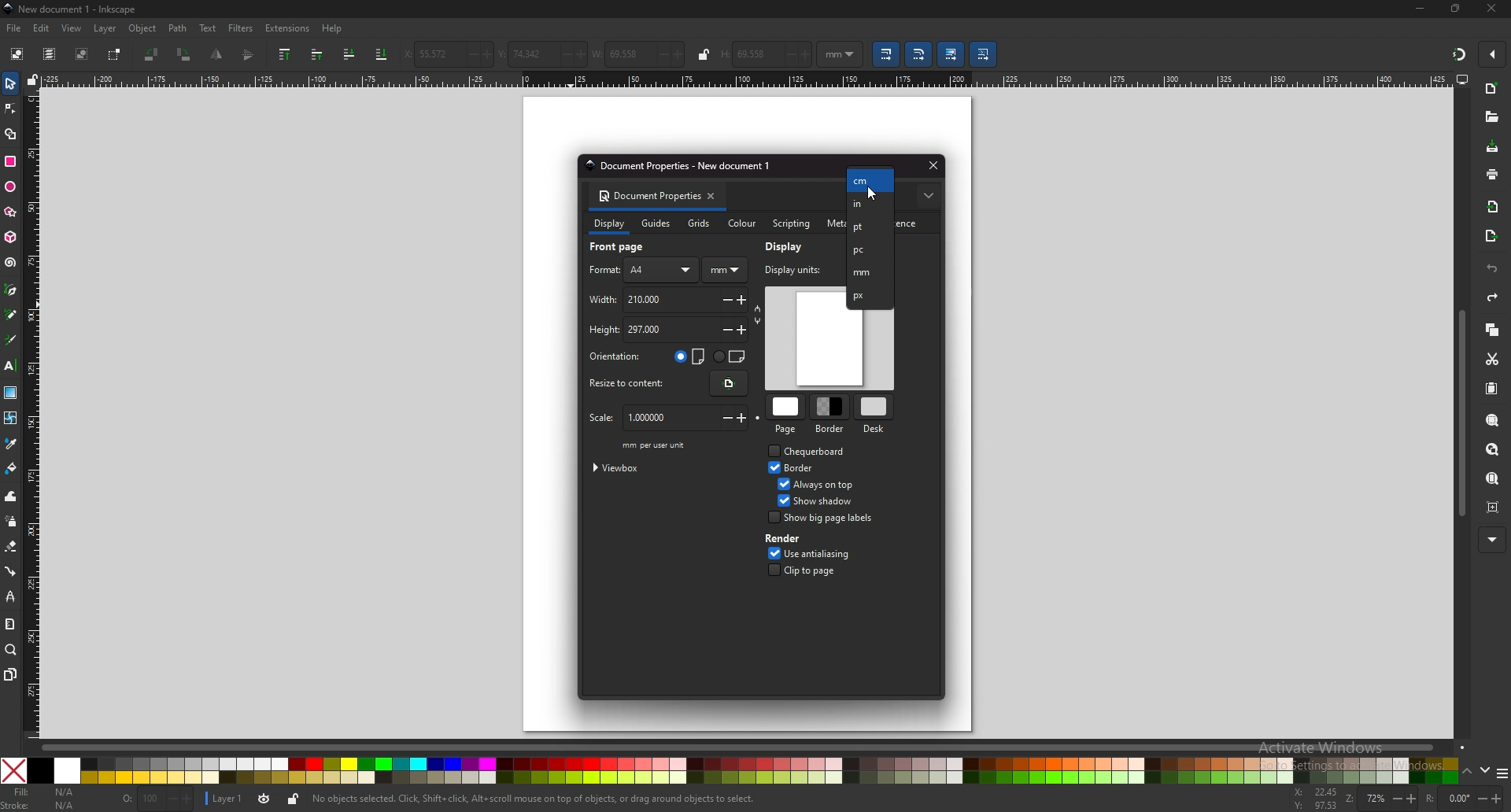 The image size is (1511, 812). Describe the element at coordinates (1493, 268) in the screenshot. I see `undo` at that location.